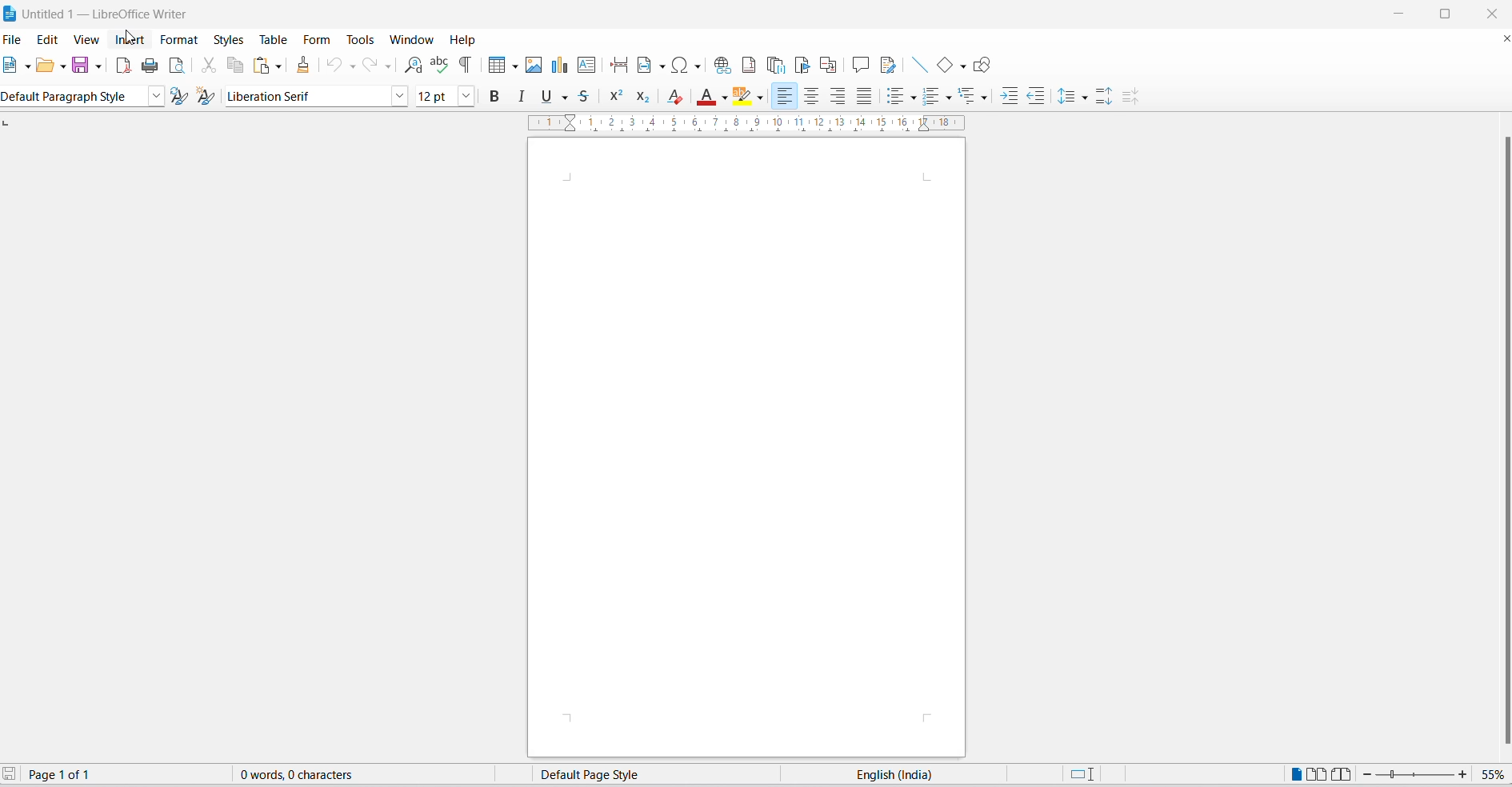 The width and height of the screenshot is (1512, 787). What do you see at coordinates (785, 98) in the screenshot?
I see `text align left` at bounding box center [785, 98].